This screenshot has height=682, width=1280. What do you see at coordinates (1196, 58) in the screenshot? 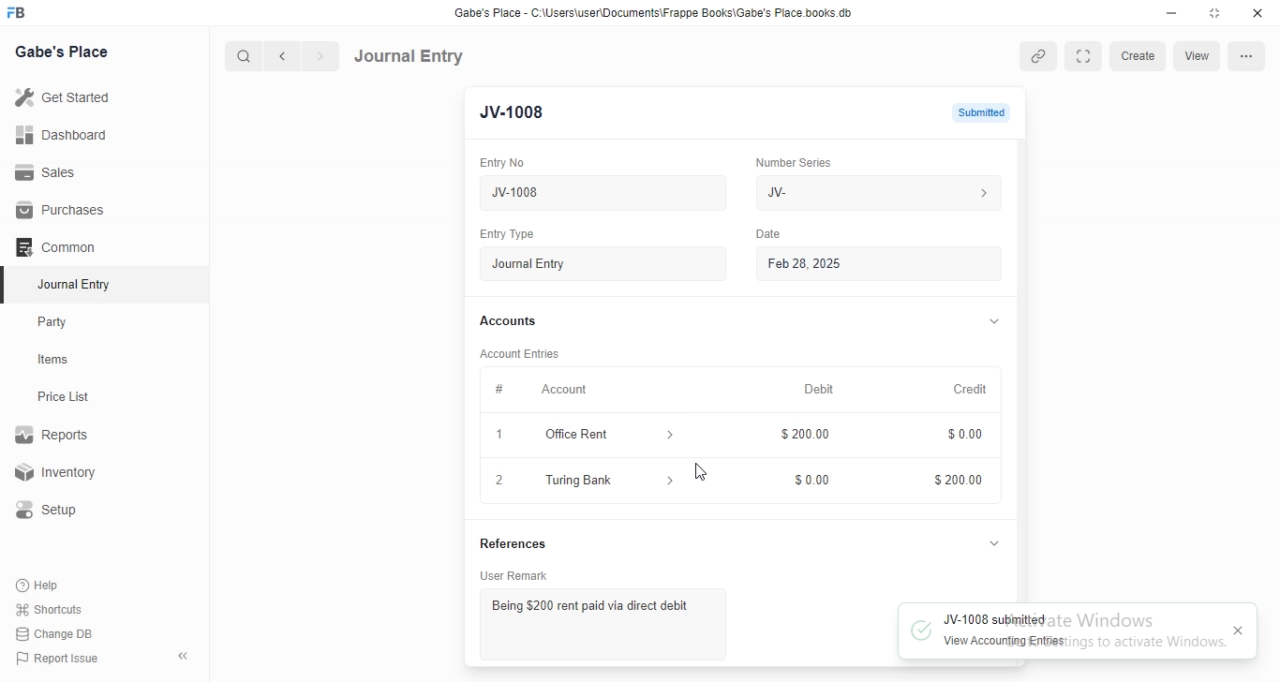
I see `view` at bounding box center [1196, 58].